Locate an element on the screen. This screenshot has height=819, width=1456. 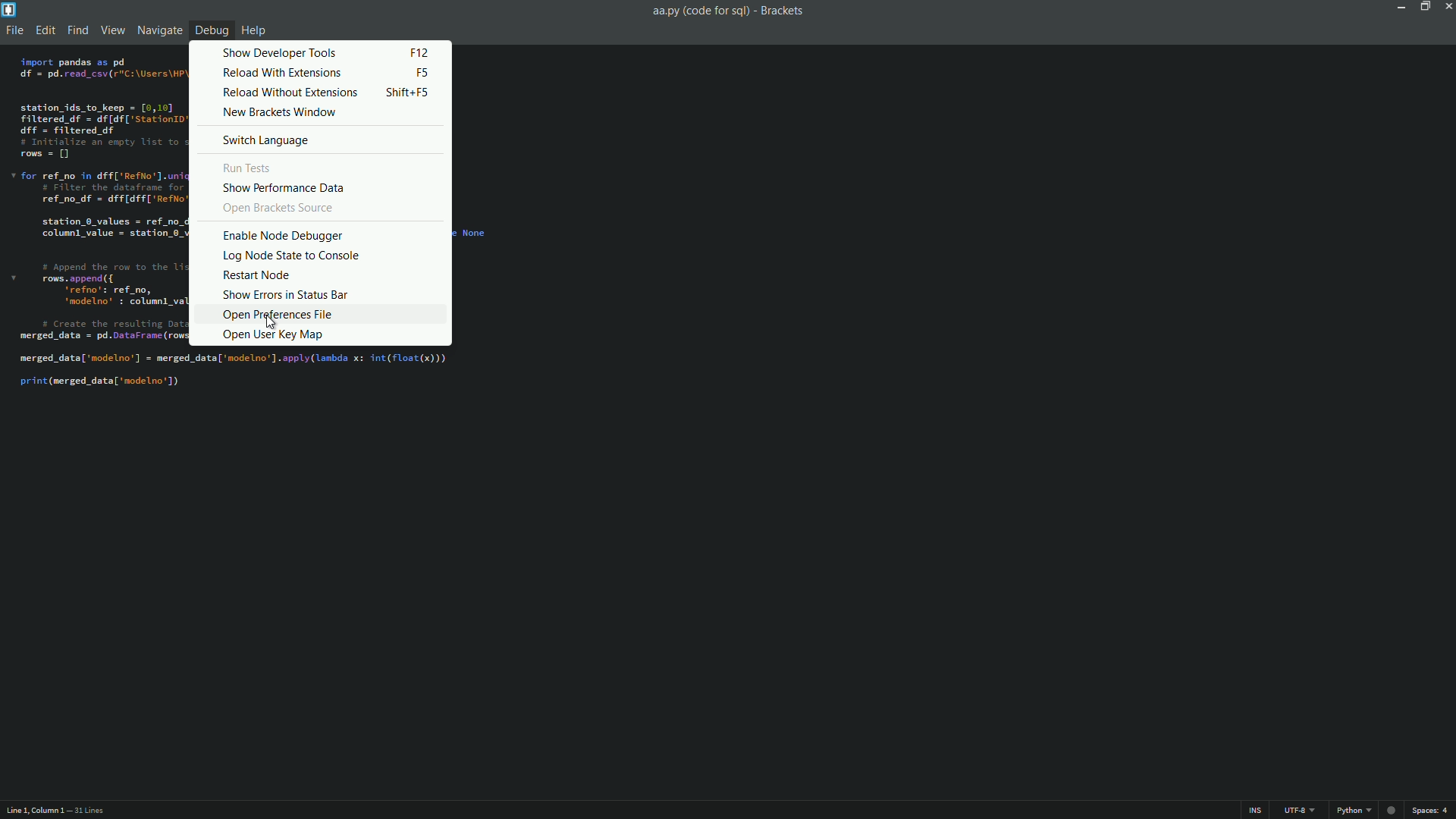
keyboard shortcut is located at coordinates (422, 72).